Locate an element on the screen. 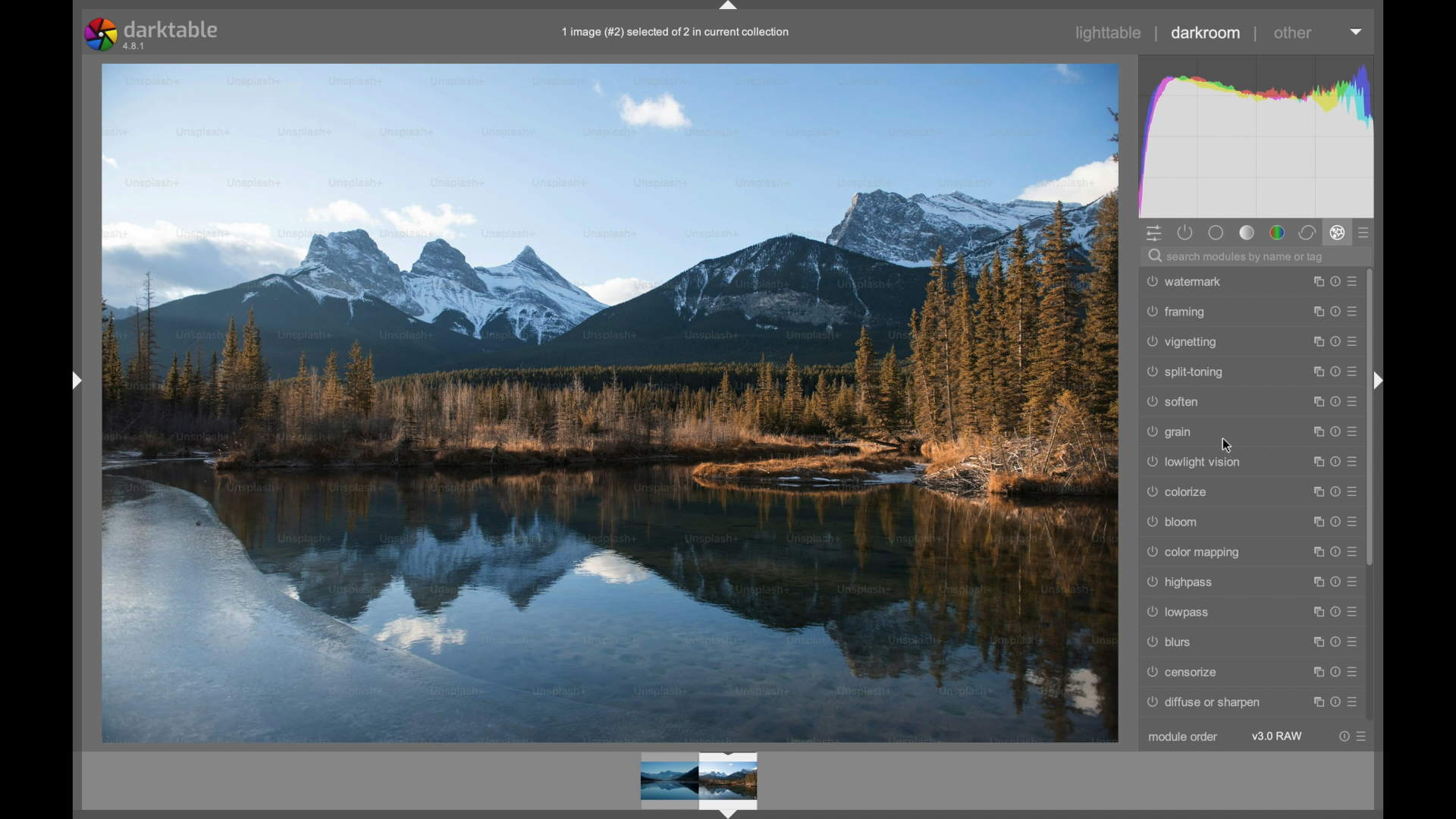 The width and height of the screenshot is (1456, 819). dropdown is located at coordinates (1356, 32).